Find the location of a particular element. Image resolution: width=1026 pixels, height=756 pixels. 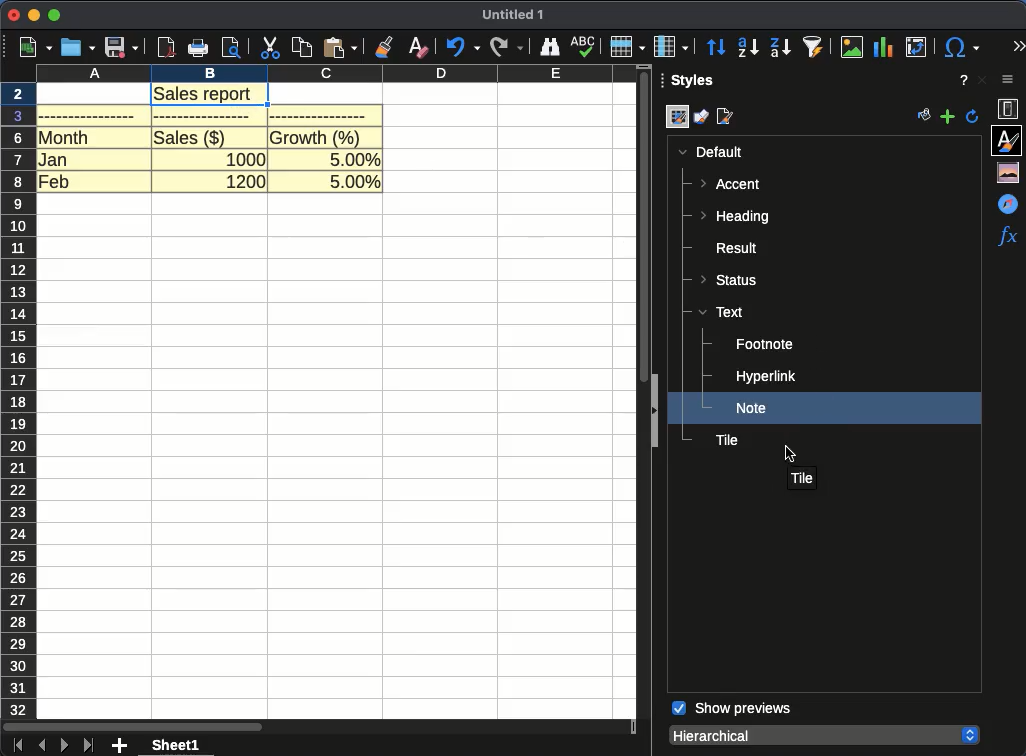

gallery is located at coordinates (1011, 172).